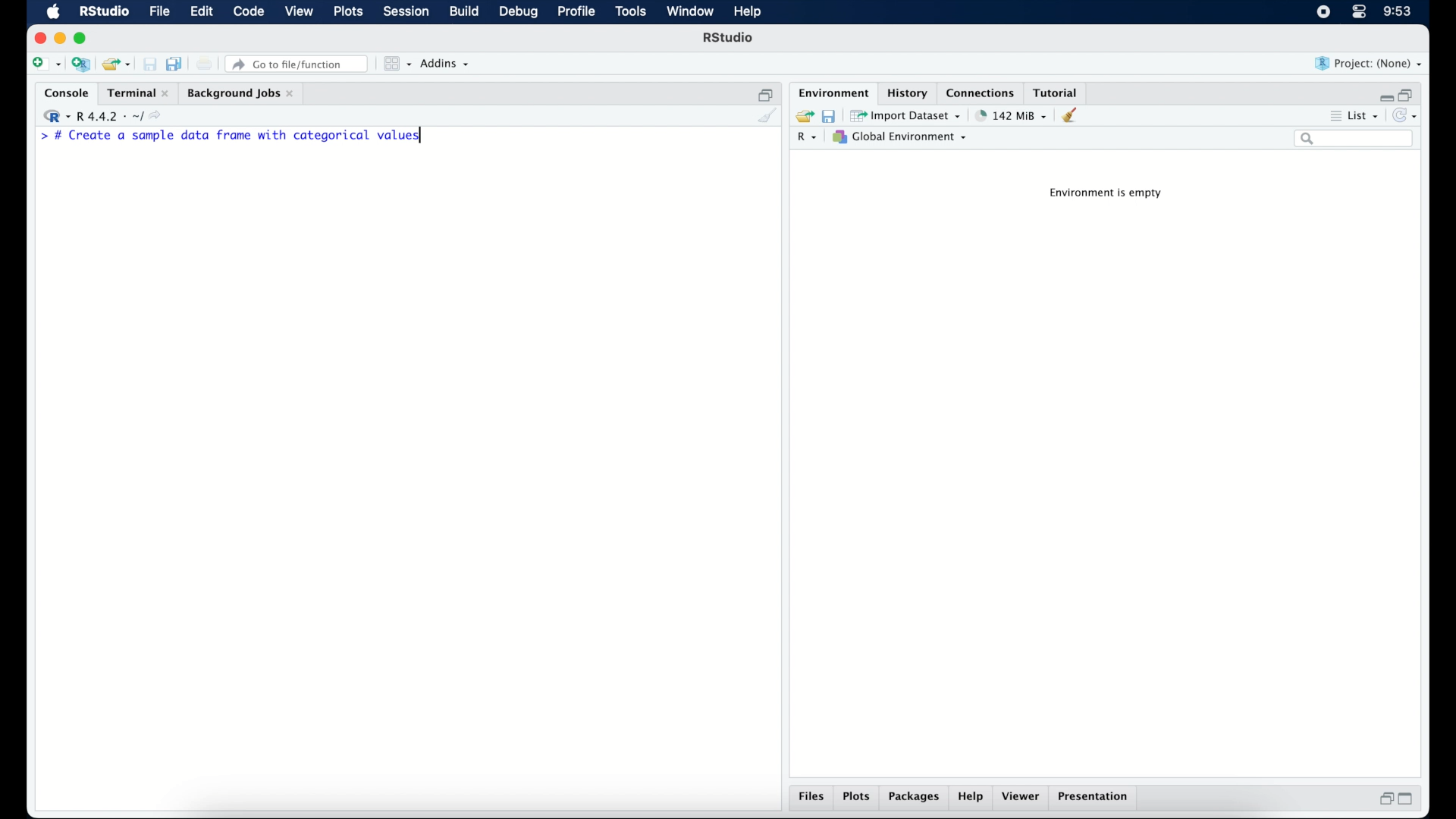 The image size is (1456, 819). Describe the element at coordinates (300, 63) in the screenshot. I see `Go to file/ function` at that location.